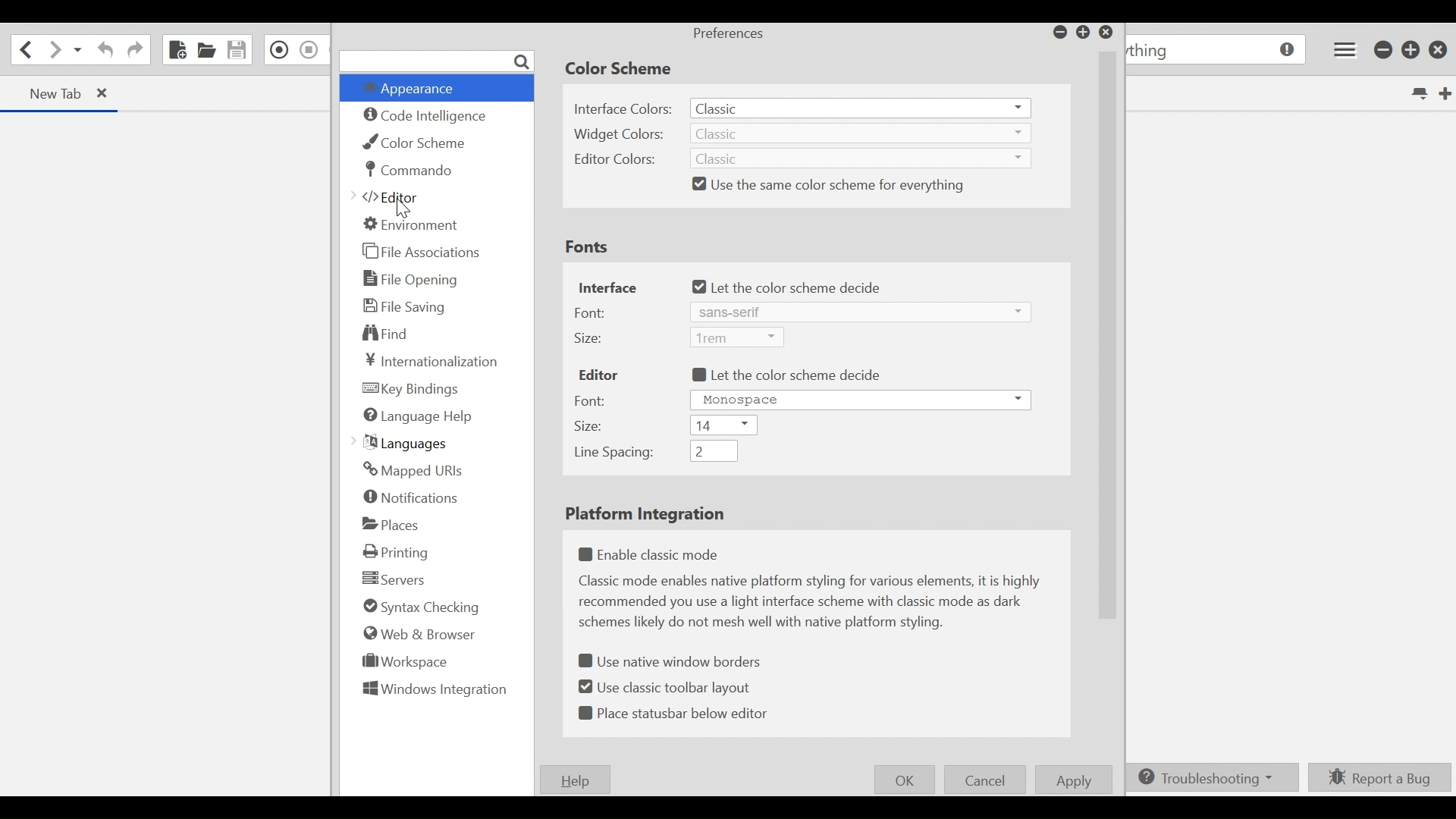  I want to click on Line spacing dropdown menu, so click(716, 452).